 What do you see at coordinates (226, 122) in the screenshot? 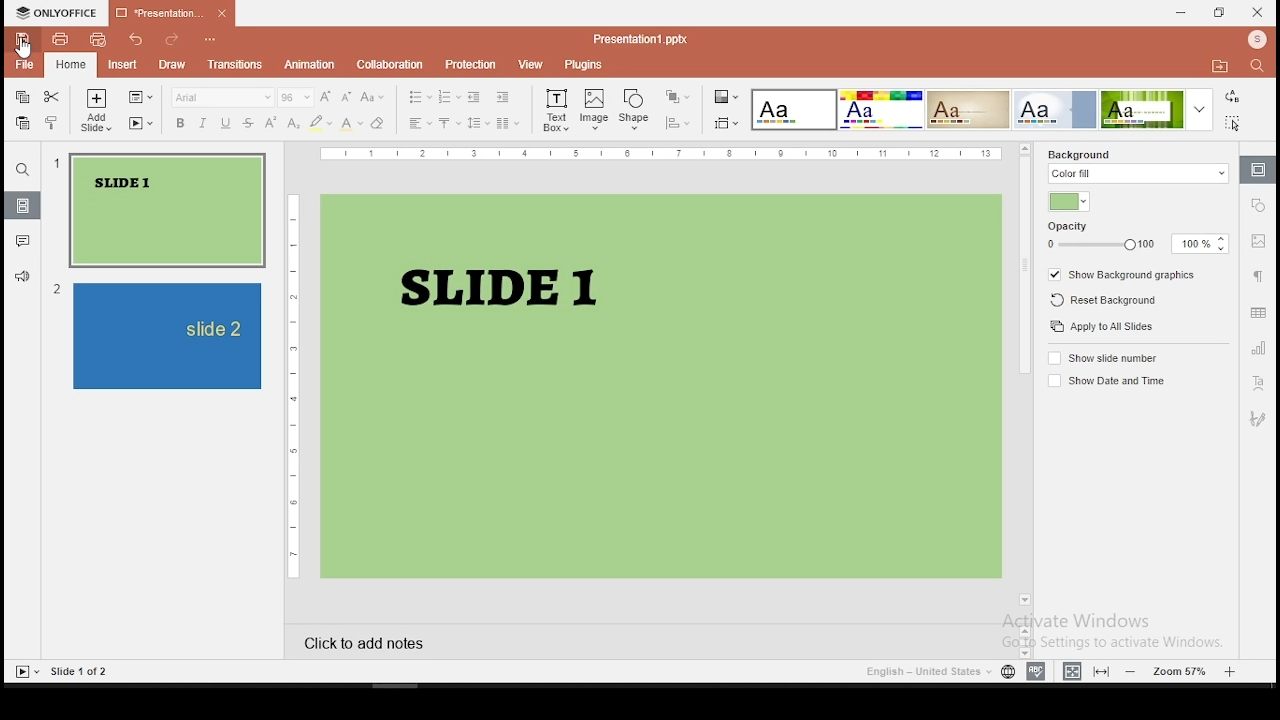
I see `underline` at bounding box center [226, 122].